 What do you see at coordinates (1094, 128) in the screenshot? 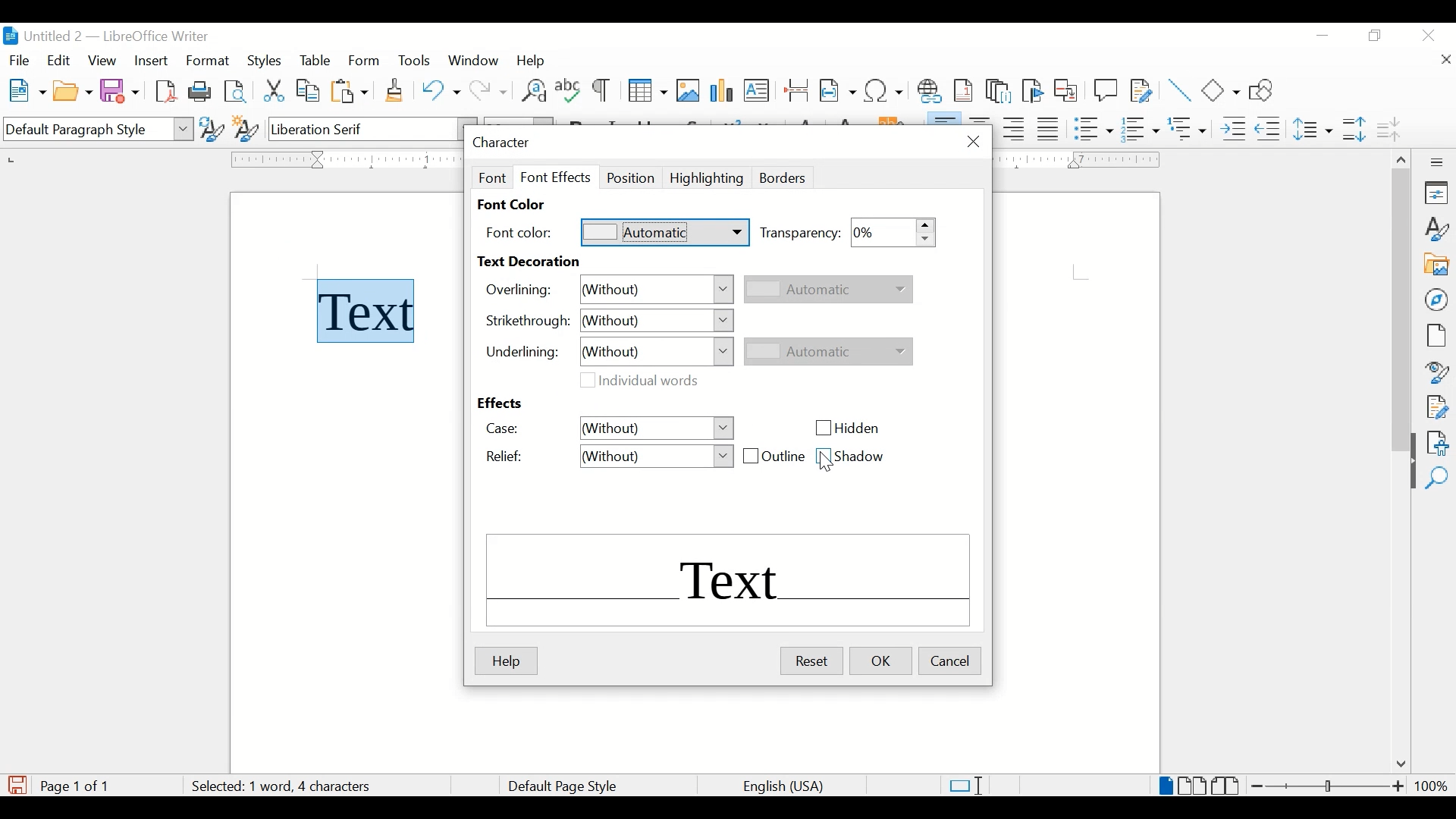
I see `toggle unordered list` at bounding box center [1094, 128].